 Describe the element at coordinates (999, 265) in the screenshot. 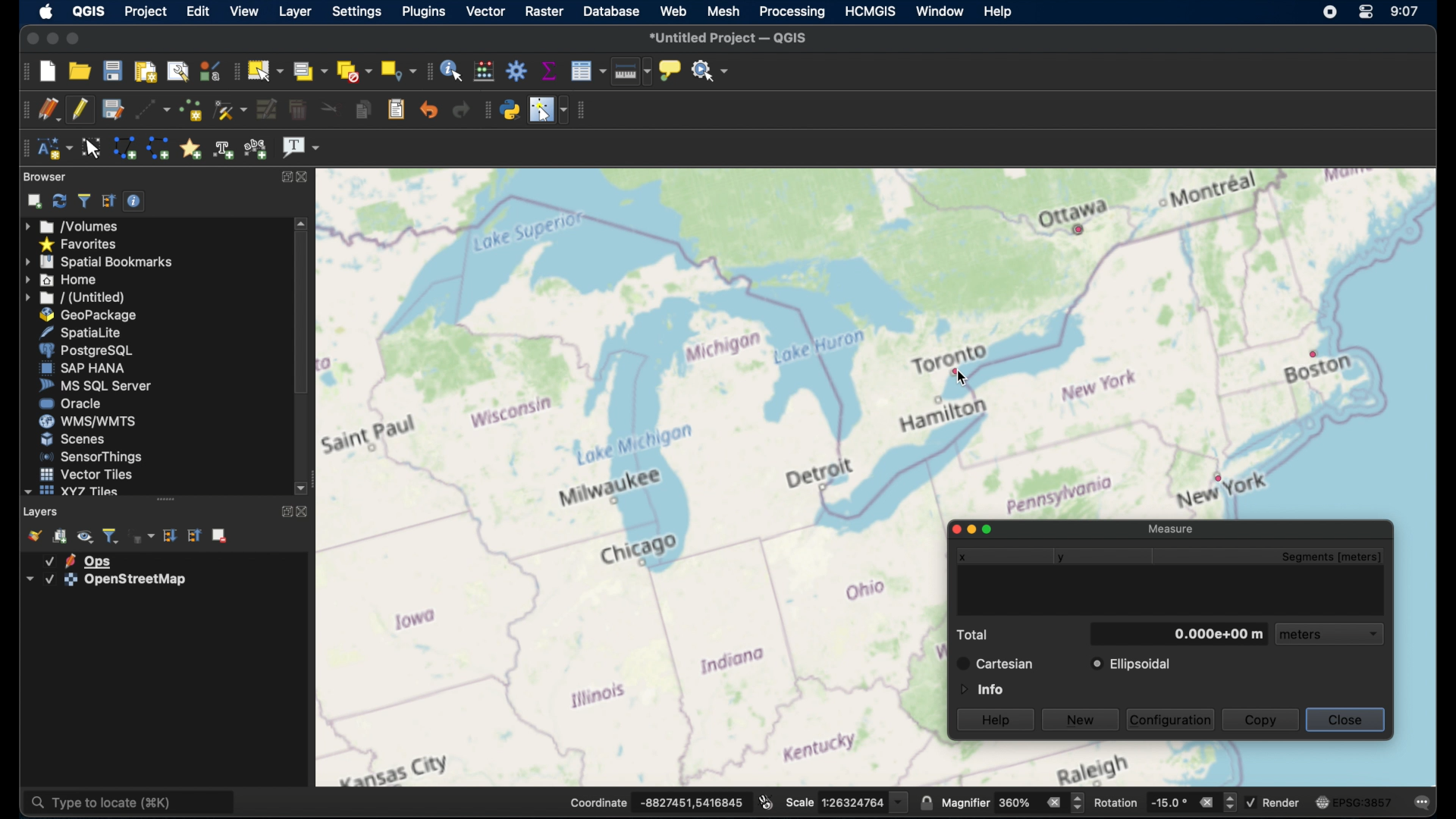

I see `open street map` at that location.